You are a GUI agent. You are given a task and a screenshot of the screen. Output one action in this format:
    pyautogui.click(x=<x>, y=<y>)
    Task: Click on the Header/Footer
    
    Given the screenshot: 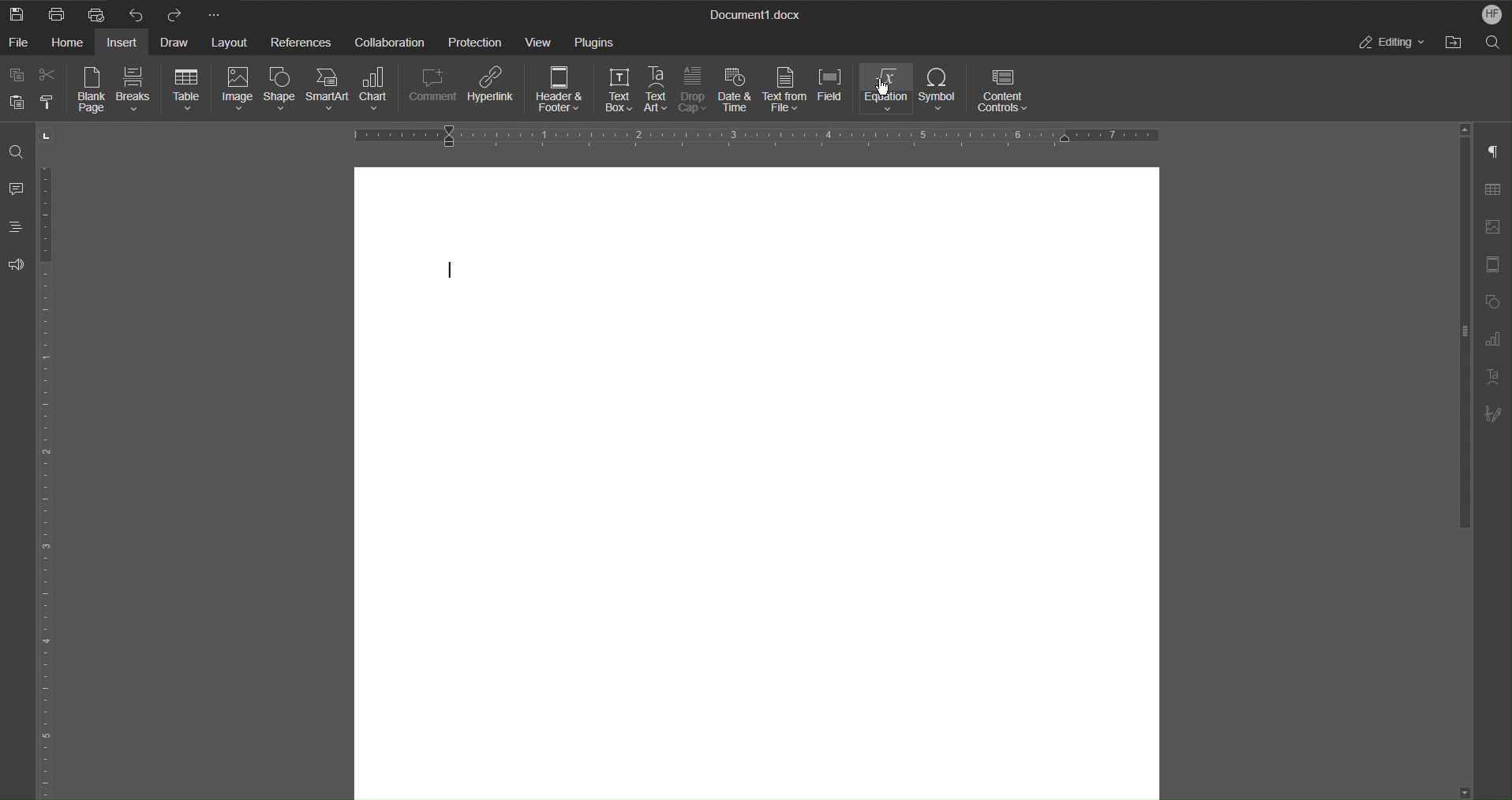 What is the action you would take?
    pyautogui.click(x=1492, y=264)
    